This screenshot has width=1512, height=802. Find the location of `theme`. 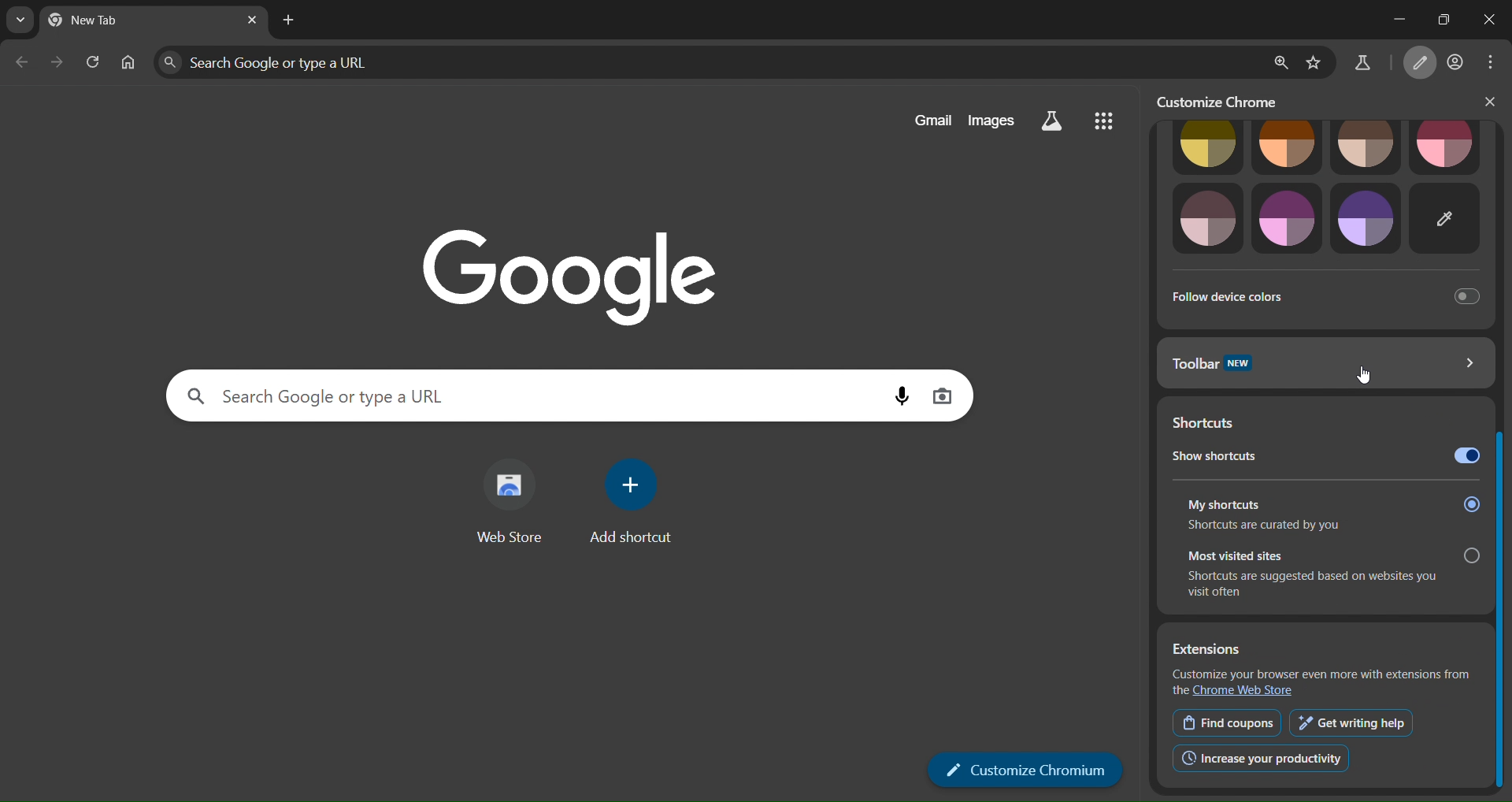

theme is located at coordinates (1366, 218).